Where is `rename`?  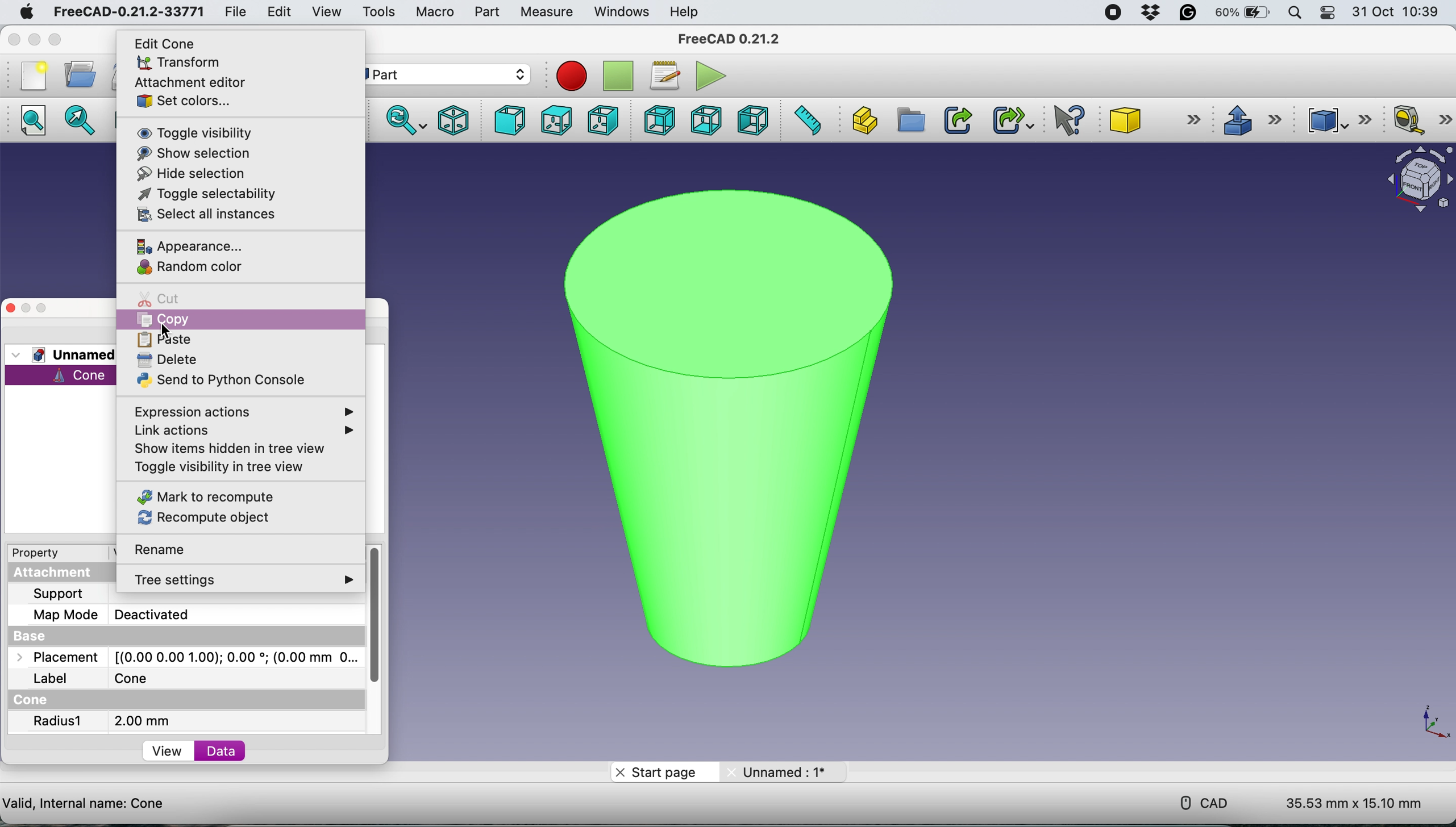 rename is located at coordinates (173, 550).